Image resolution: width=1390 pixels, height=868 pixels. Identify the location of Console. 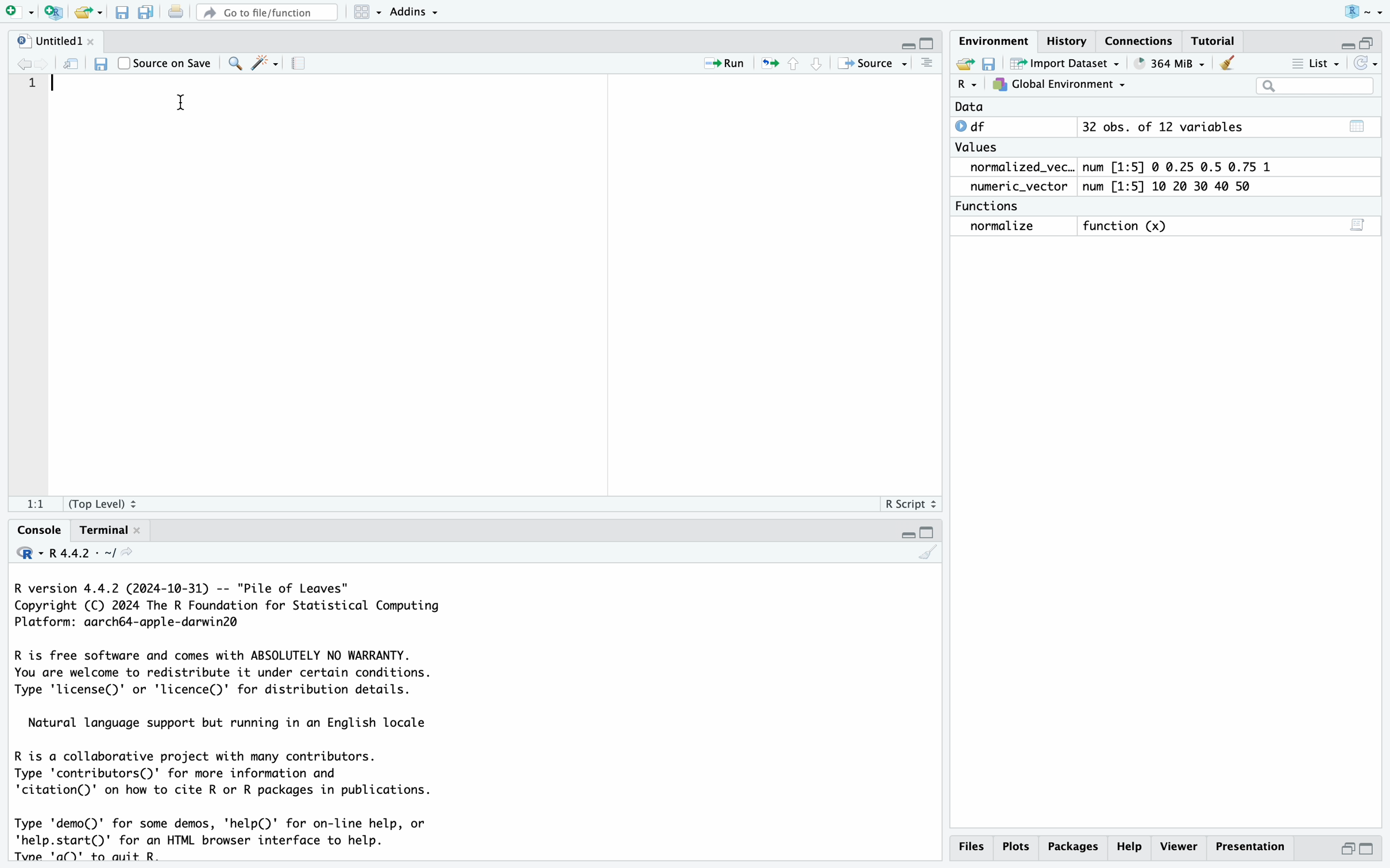
(37, 529).